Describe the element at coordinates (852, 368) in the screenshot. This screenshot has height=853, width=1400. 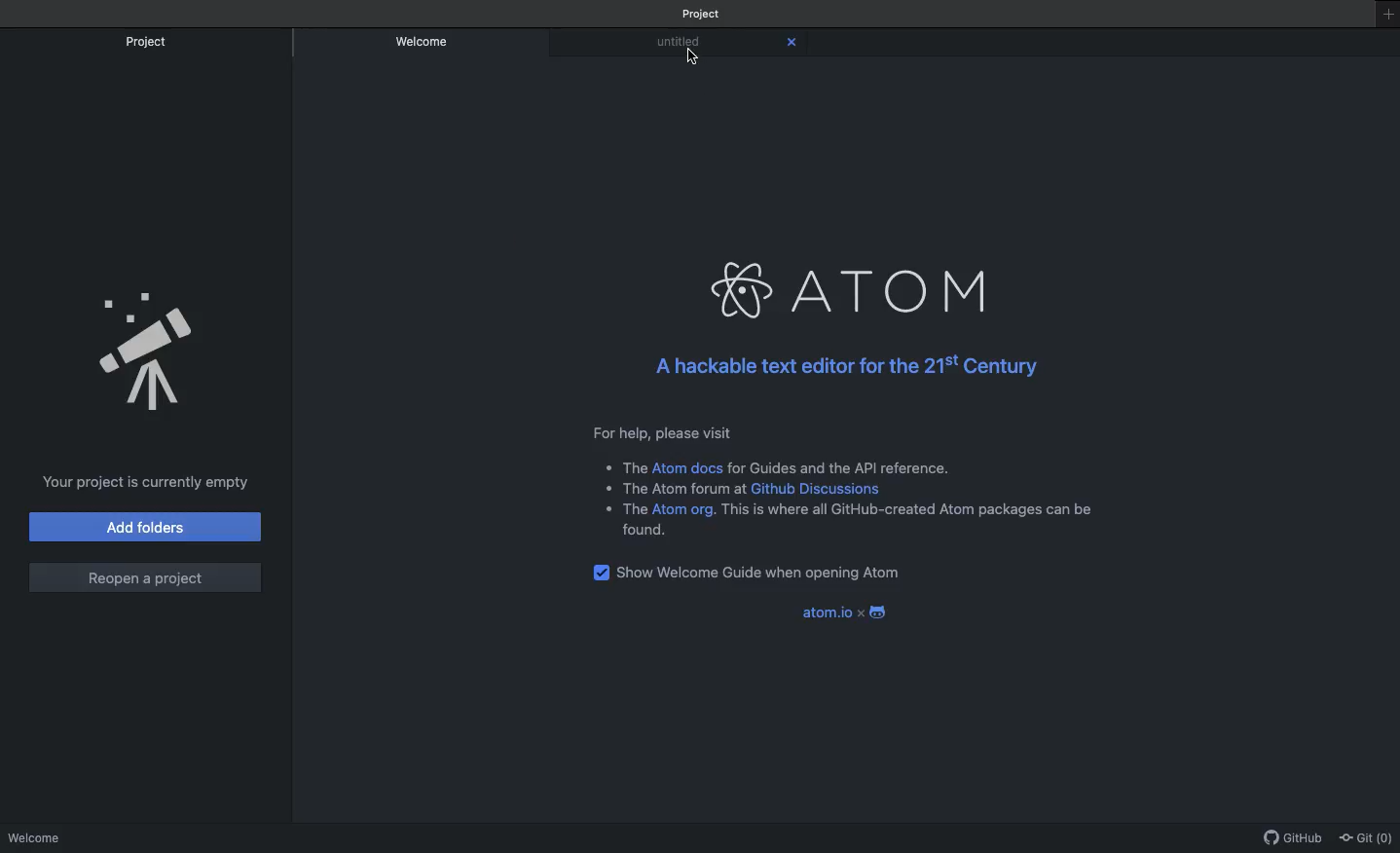
I see `Hackable text editor` at that location.